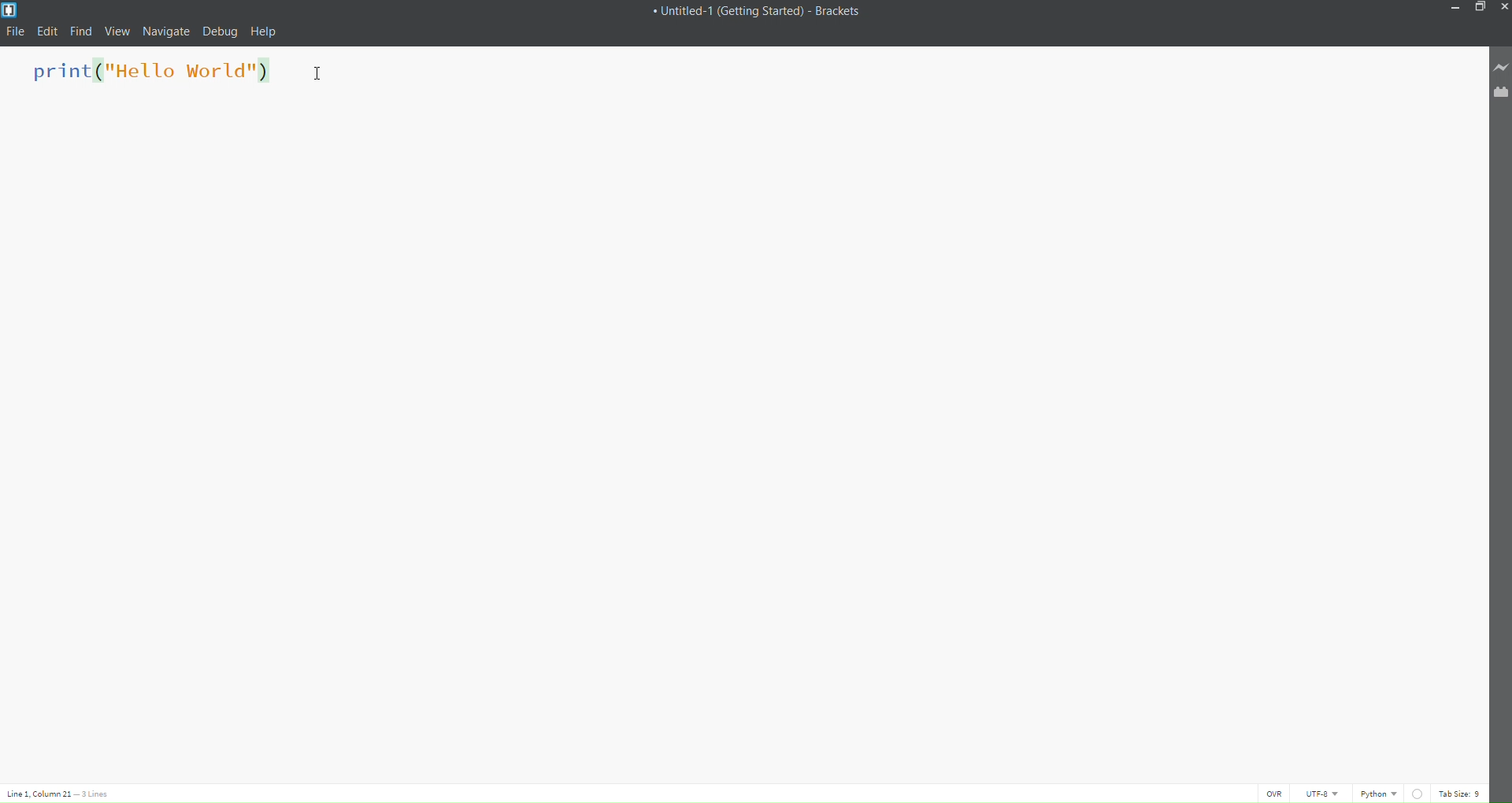 The width and height of the screenshot is (1512, 803). I want to click on close, so click(1503, 8).